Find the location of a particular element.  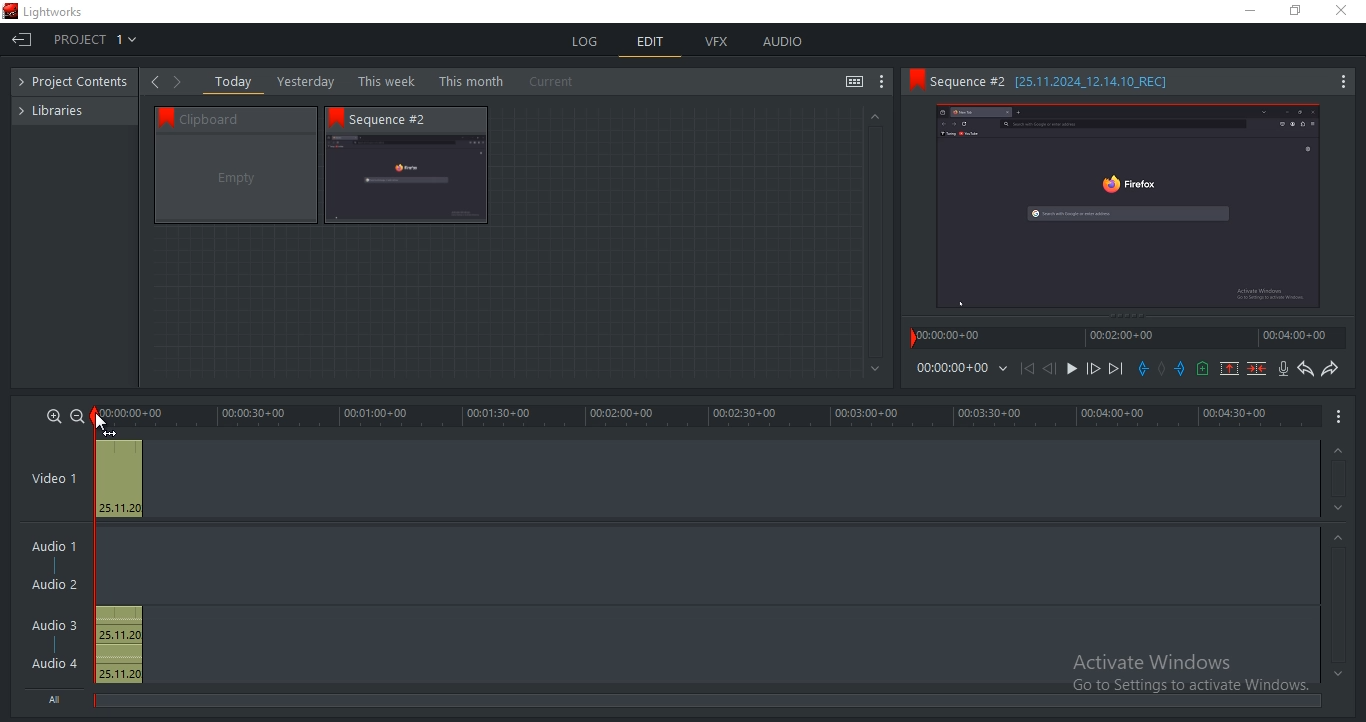

timeline is located at coordinates (710, 416).